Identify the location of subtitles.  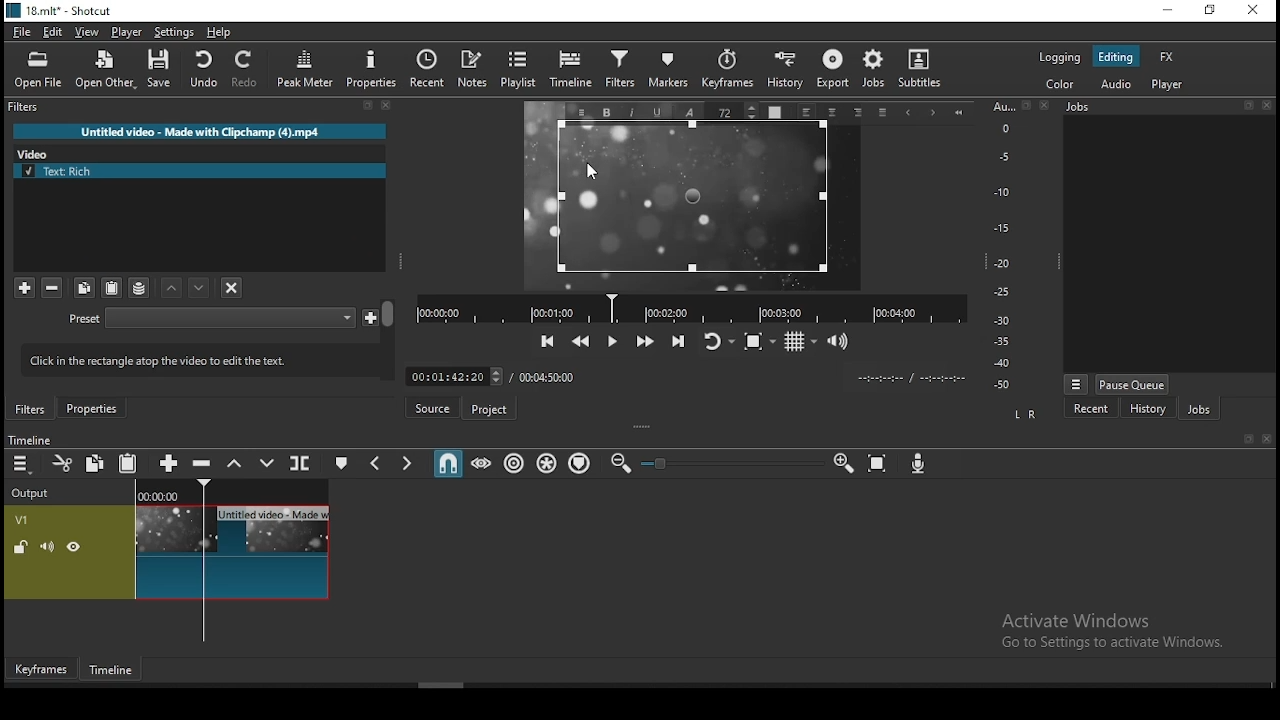
(925, 72).